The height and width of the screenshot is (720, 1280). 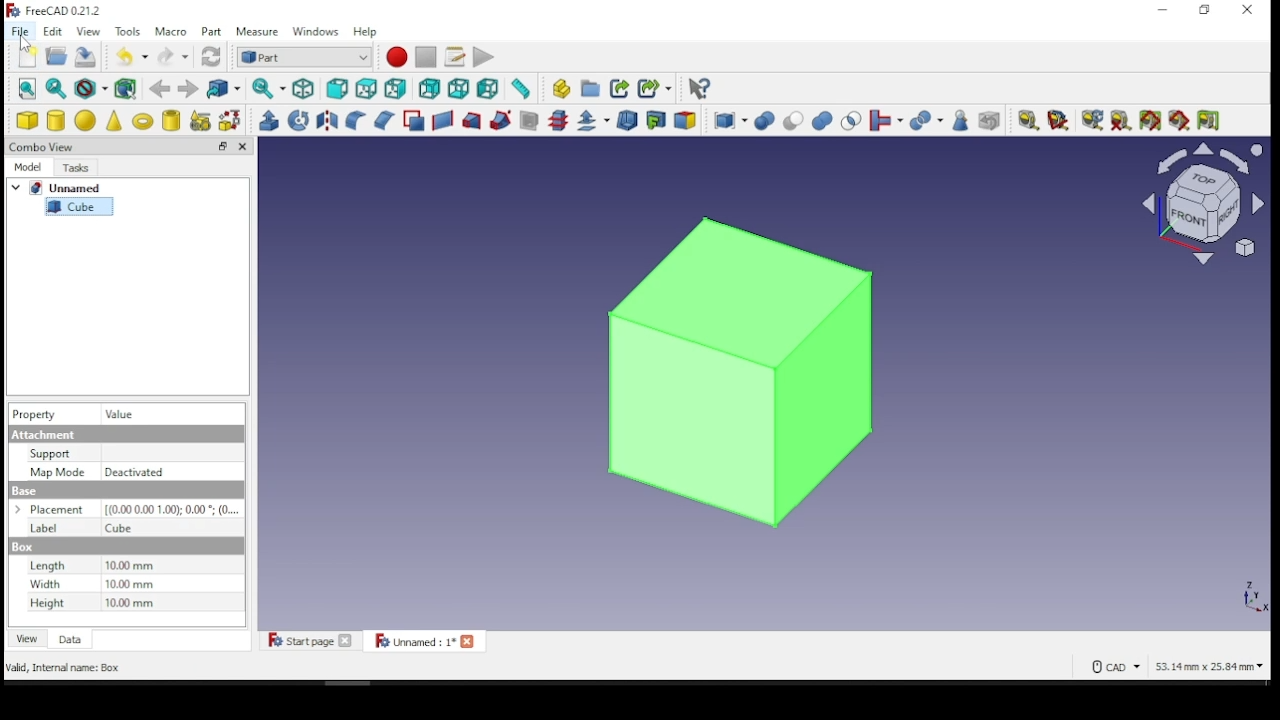 What do you see at coordinates (1205, 11) in the screenshot?
I see `restore` at bounding box center [1205, 11].